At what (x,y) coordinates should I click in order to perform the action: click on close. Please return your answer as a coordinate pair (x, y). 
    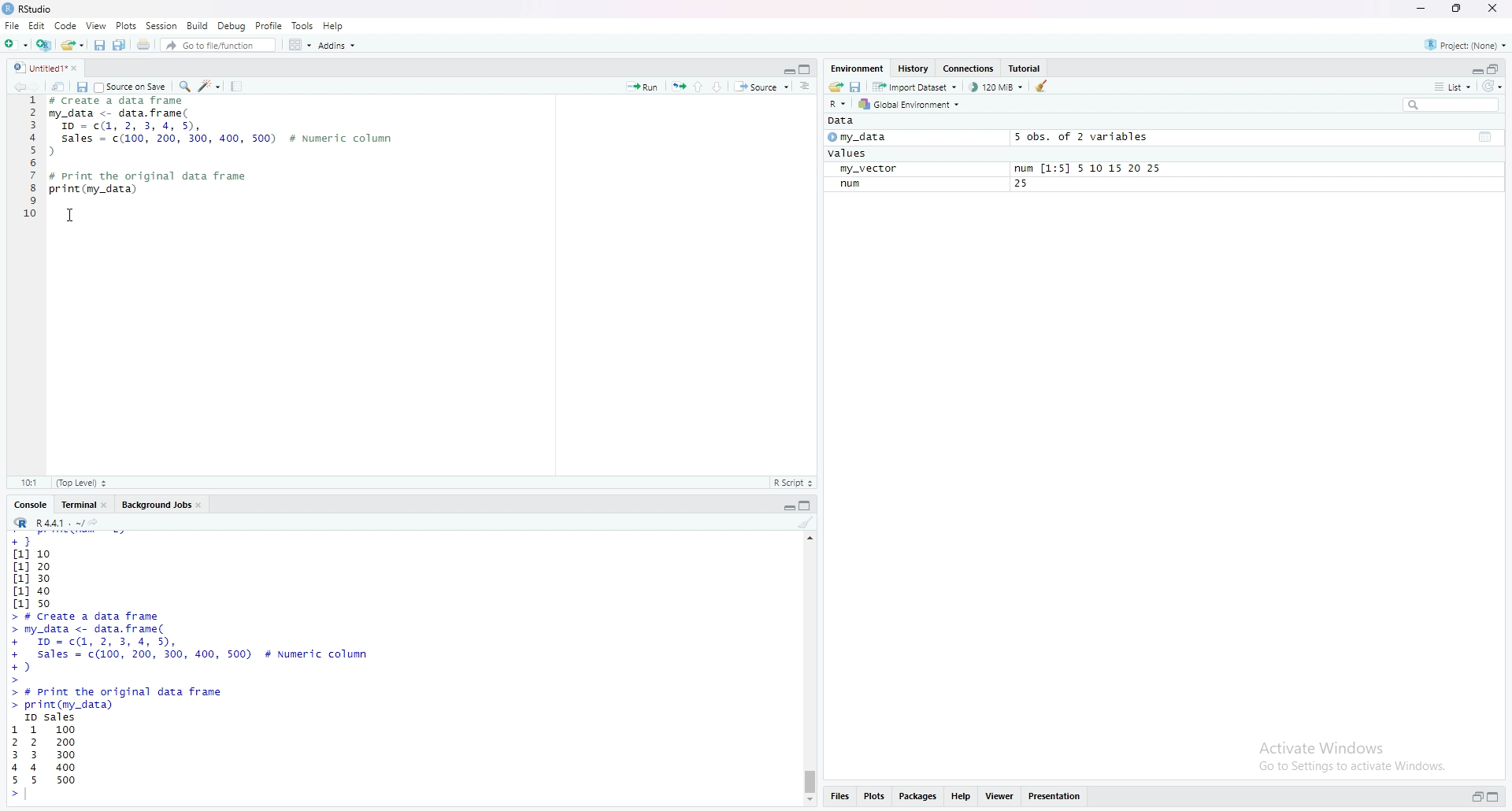
    Looking at the image, I should click on (80, 69).